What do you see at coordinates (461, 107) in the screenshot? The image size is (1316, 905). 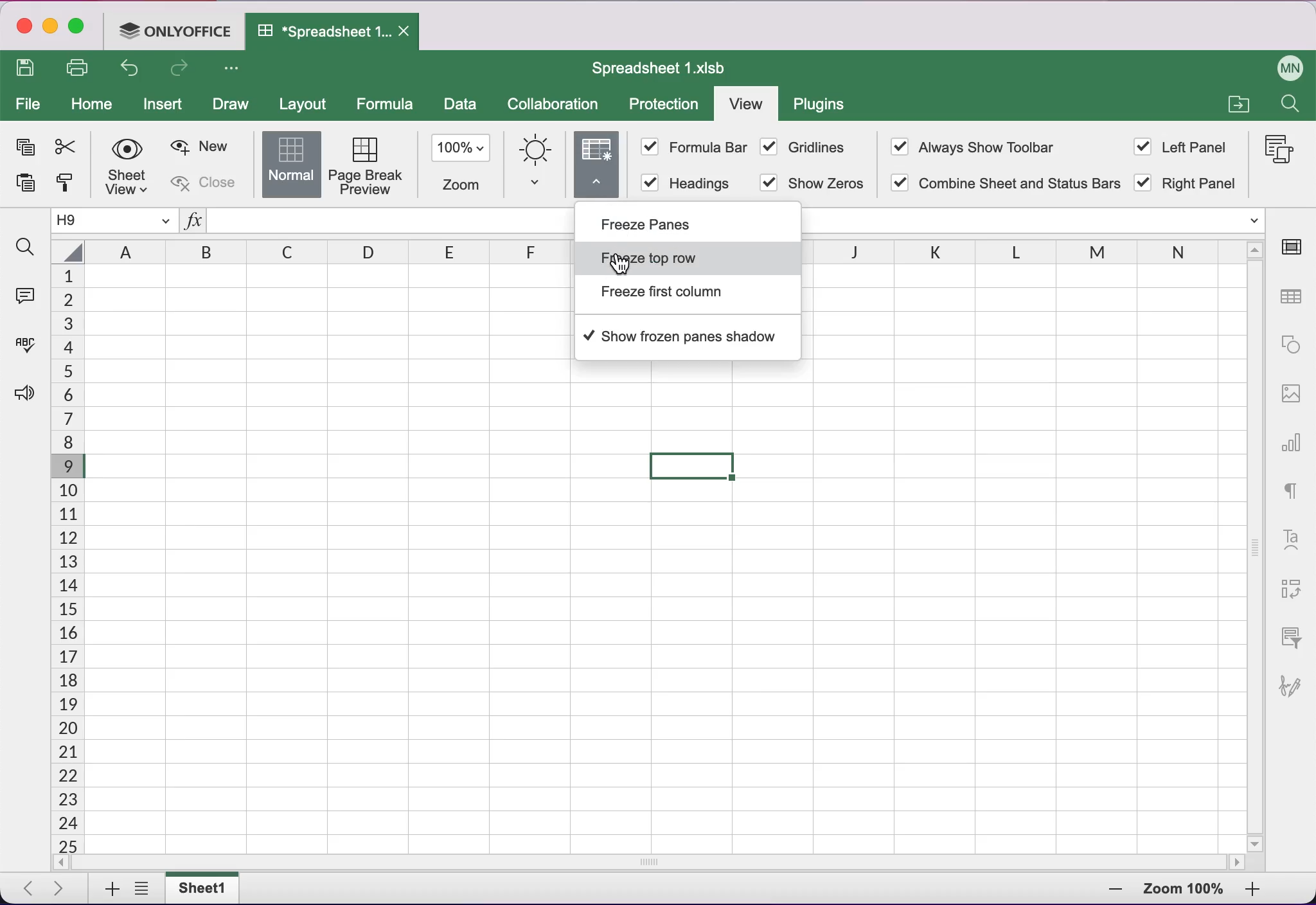 I see `data` at bounding box center [461, 107].